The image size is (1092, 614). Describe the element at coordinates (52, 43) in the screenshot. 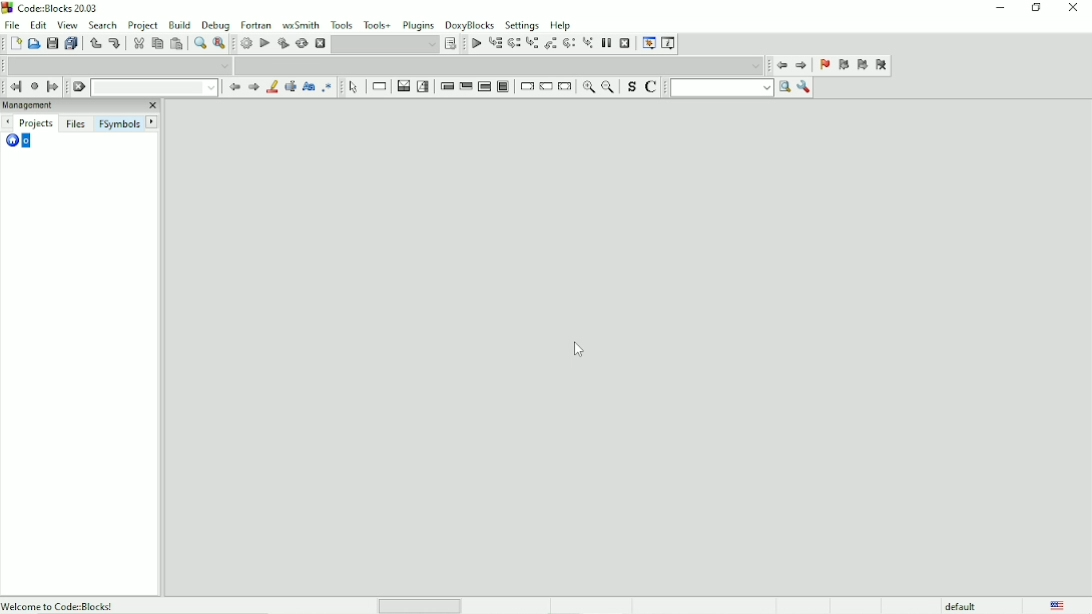

I see `Save` at that location.